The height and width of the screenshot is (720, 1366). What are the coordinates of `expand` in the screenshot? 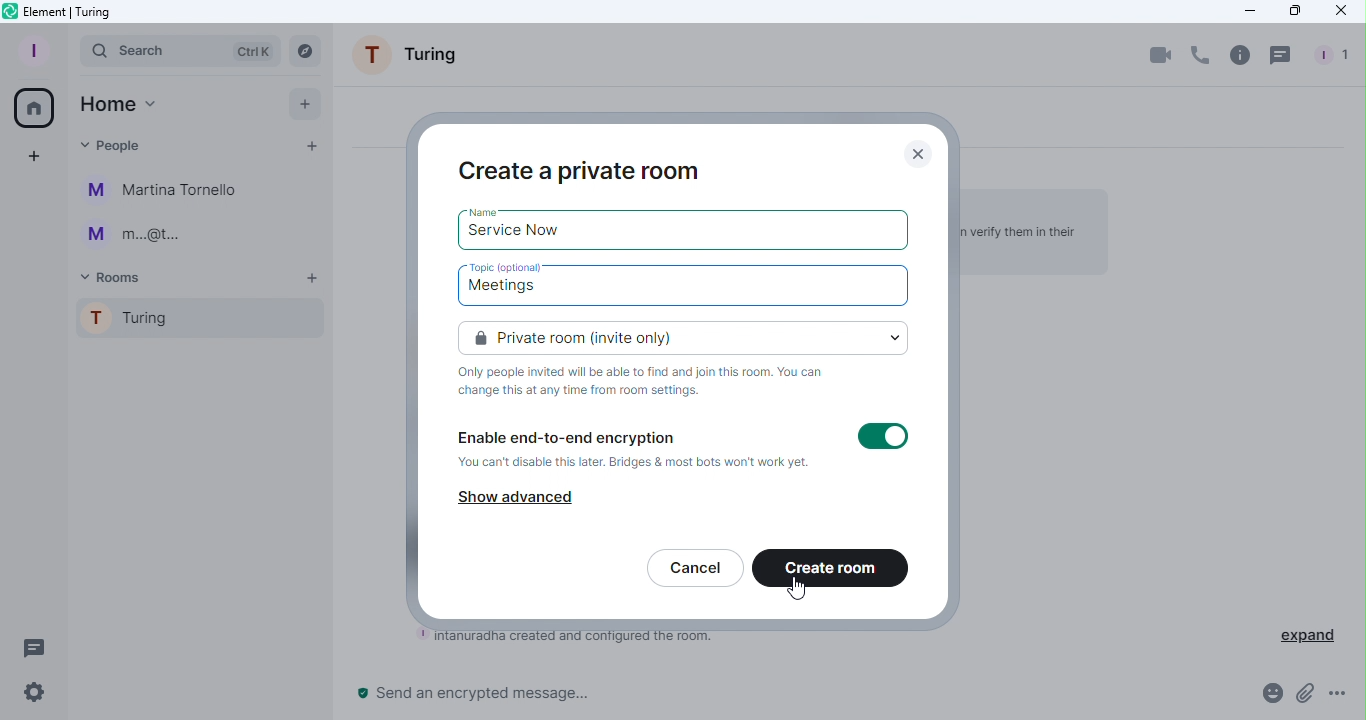 It's located at (1308, 633).